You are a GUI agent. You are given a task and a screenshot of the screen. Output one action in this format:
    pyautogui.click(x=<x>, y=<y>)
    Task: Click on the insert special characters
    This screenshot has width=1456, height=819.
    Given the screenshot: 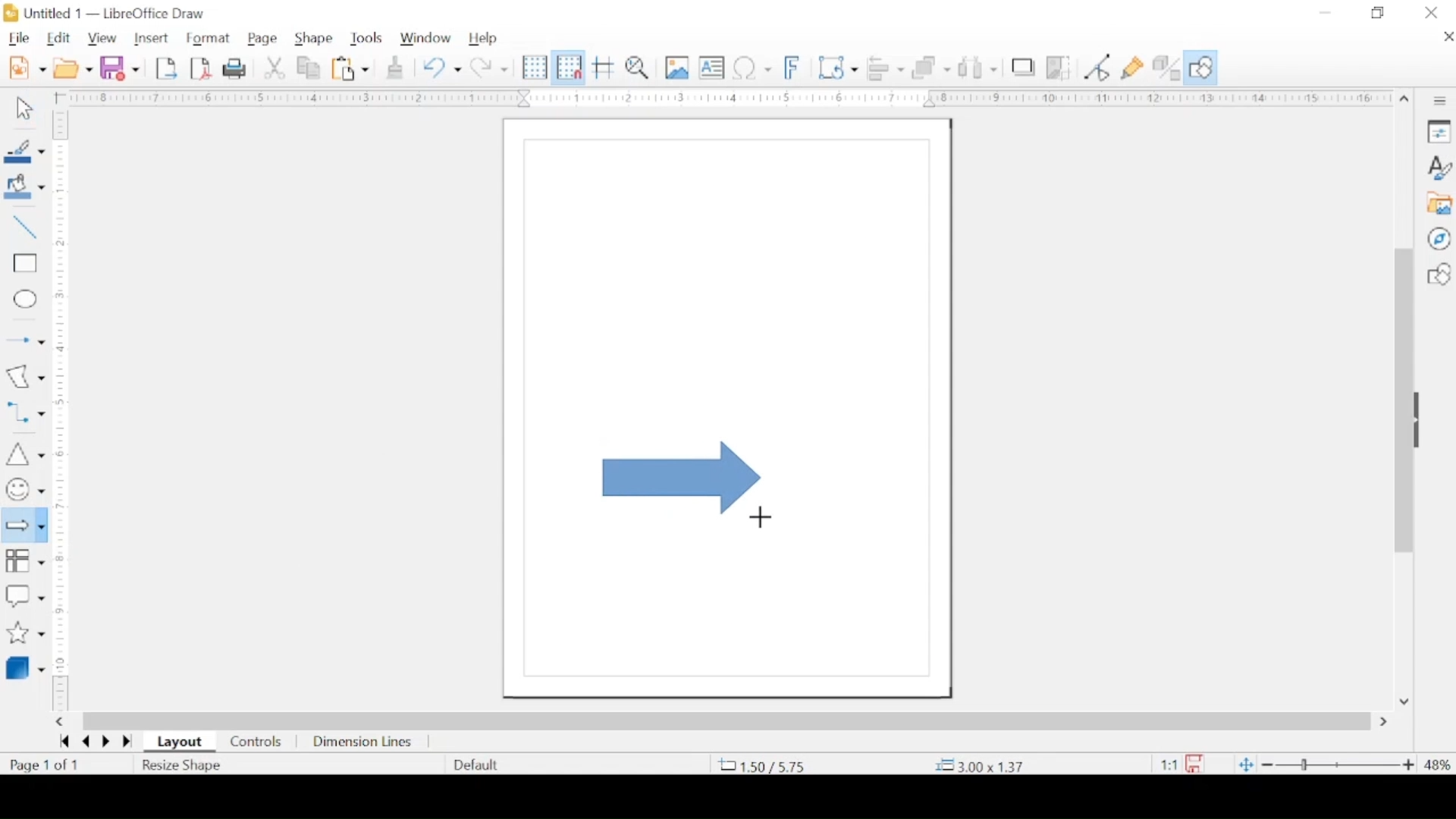 What is the action you would take?
    pyautogui.click(x=752, y=67)
    